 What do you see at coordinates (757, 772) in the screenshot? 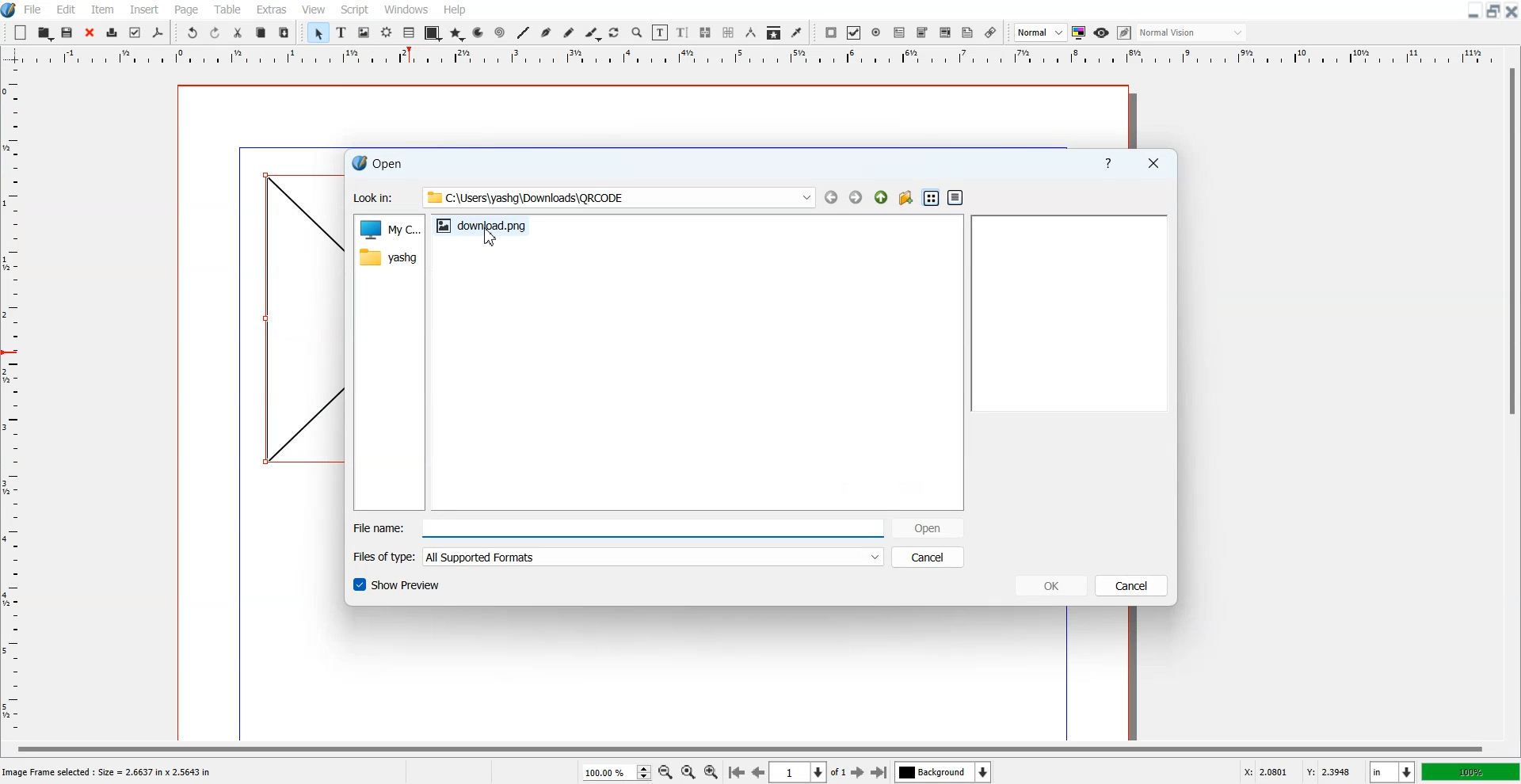
I see `Go to Previous page` at bounding box center [757, 772].